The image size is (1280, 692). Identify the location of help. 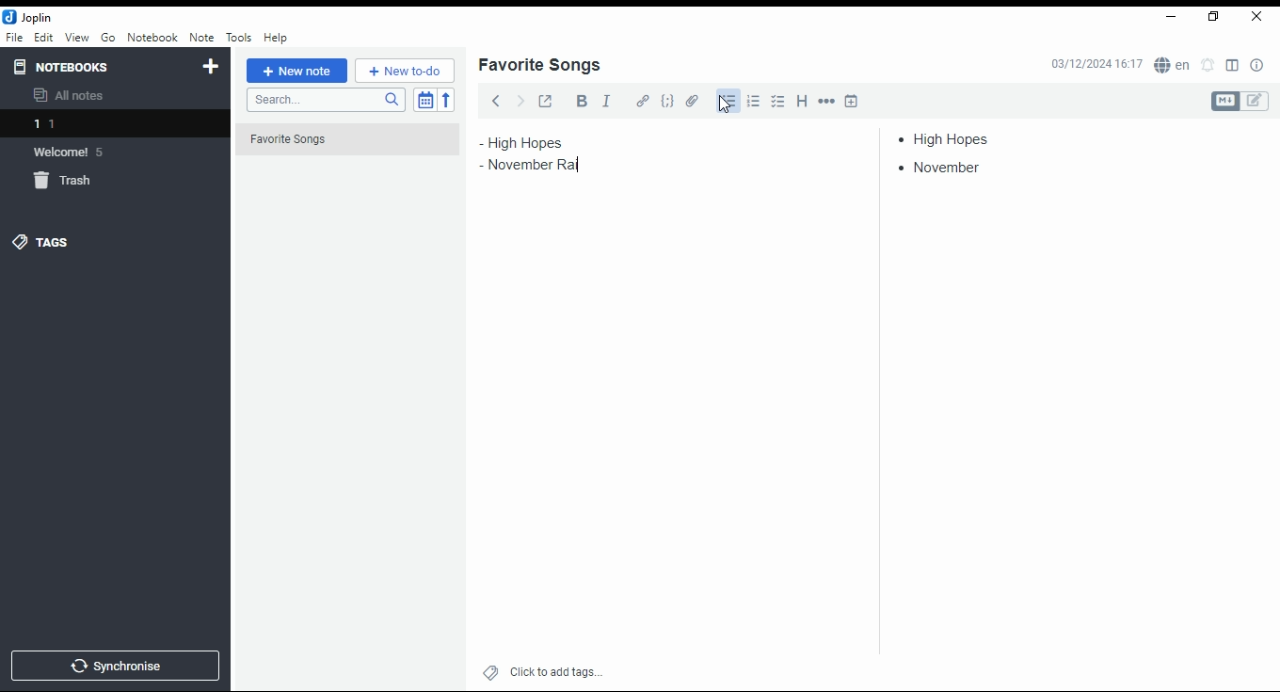
(275, 38).